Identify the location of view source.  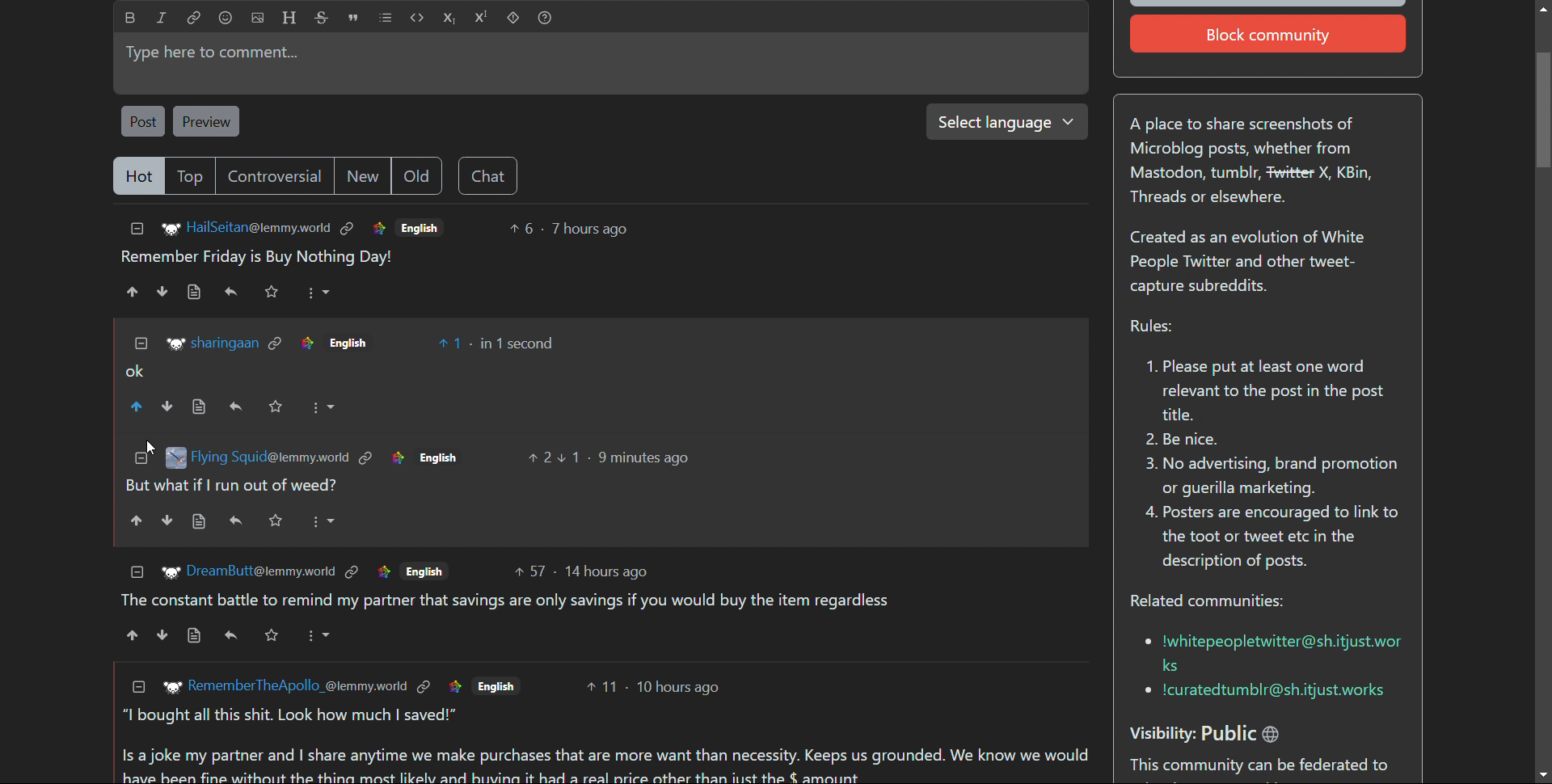
(193, 292).